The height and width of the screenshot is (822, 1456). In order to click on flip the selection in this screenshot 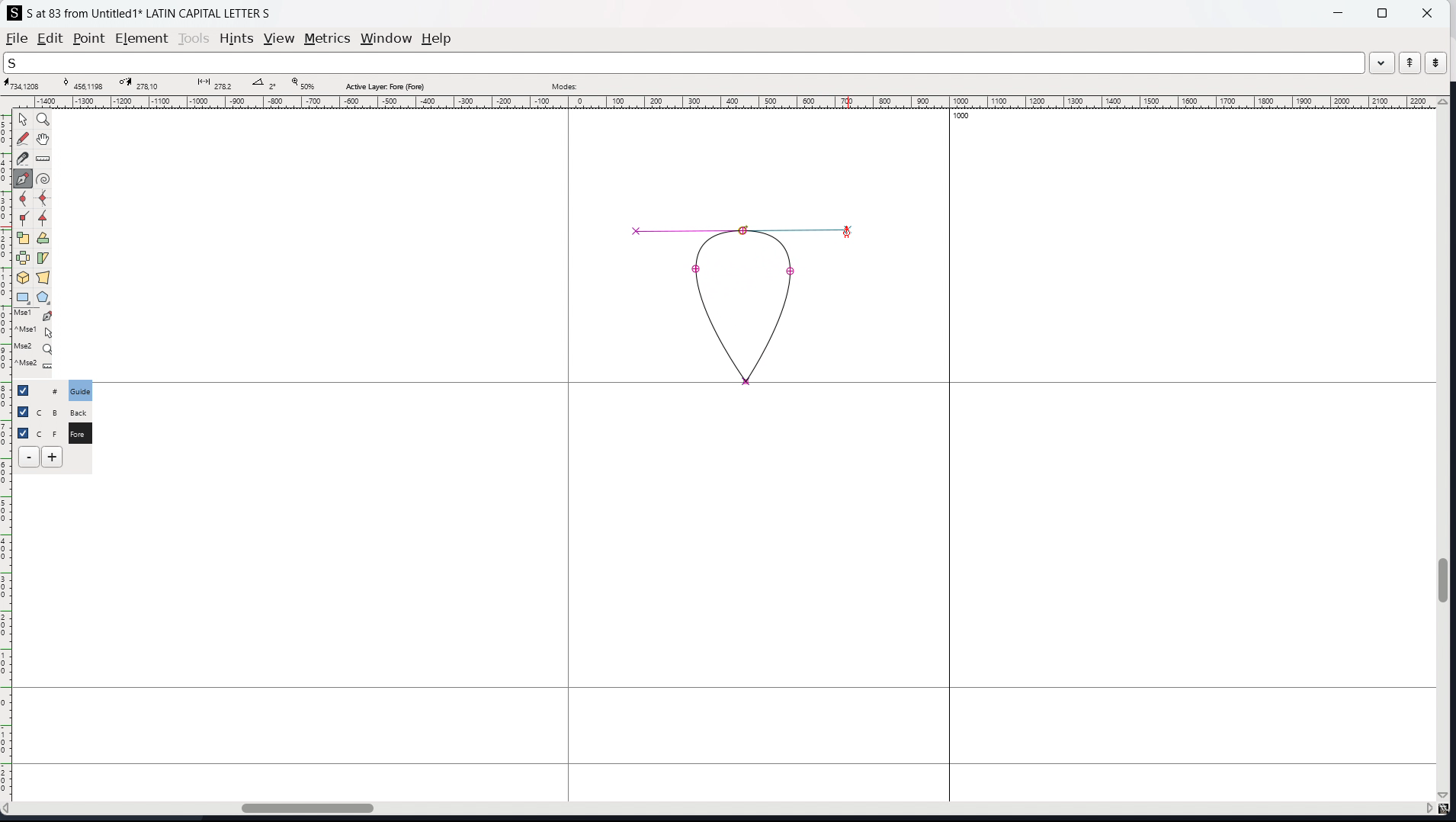, I will do `click(23, 258)`.